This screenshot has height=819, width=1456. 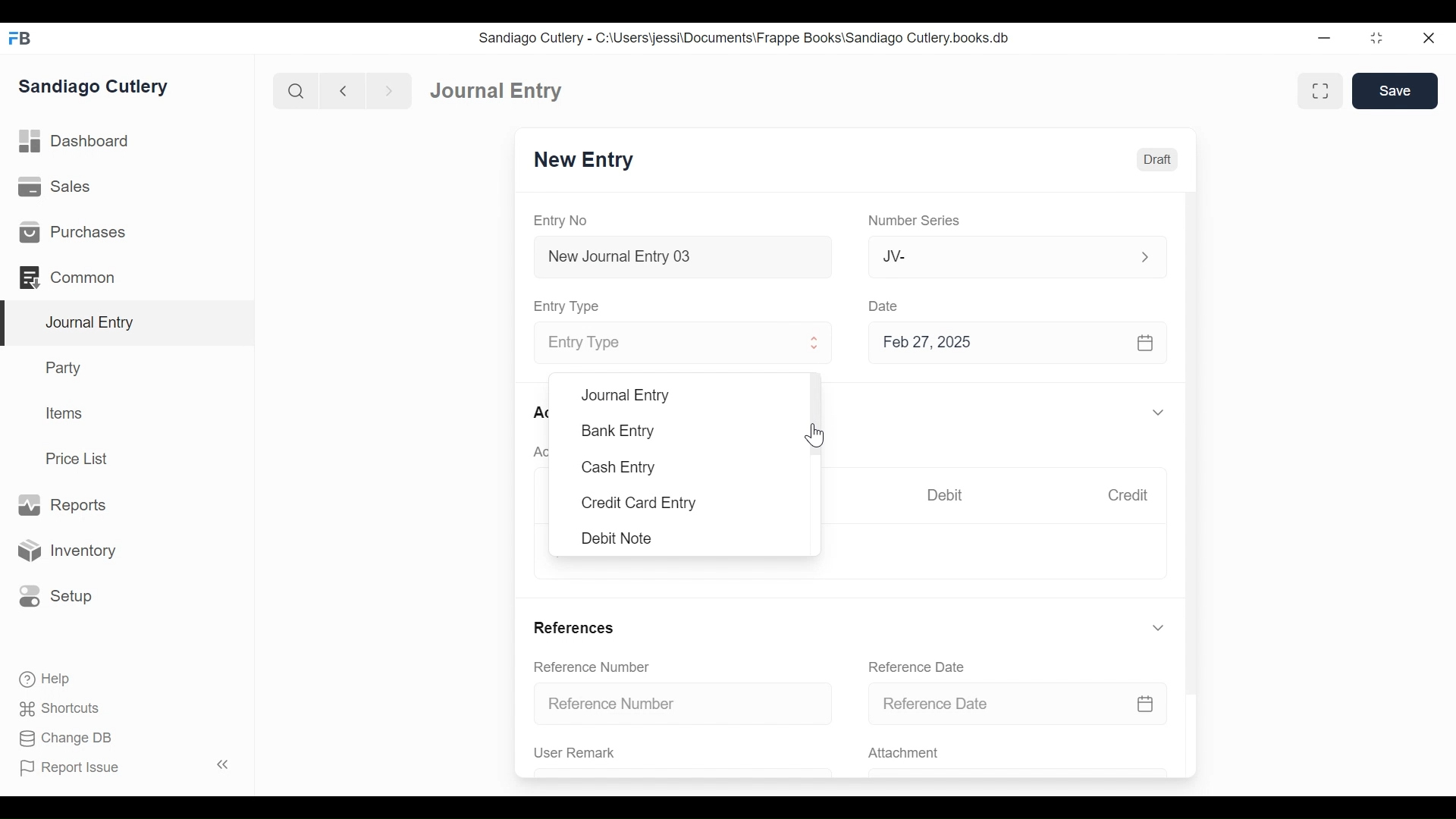 What do you see at coordinates (621, 431) in the screenshot?
I see `Bank Entry` at bounding box center [621, 431].